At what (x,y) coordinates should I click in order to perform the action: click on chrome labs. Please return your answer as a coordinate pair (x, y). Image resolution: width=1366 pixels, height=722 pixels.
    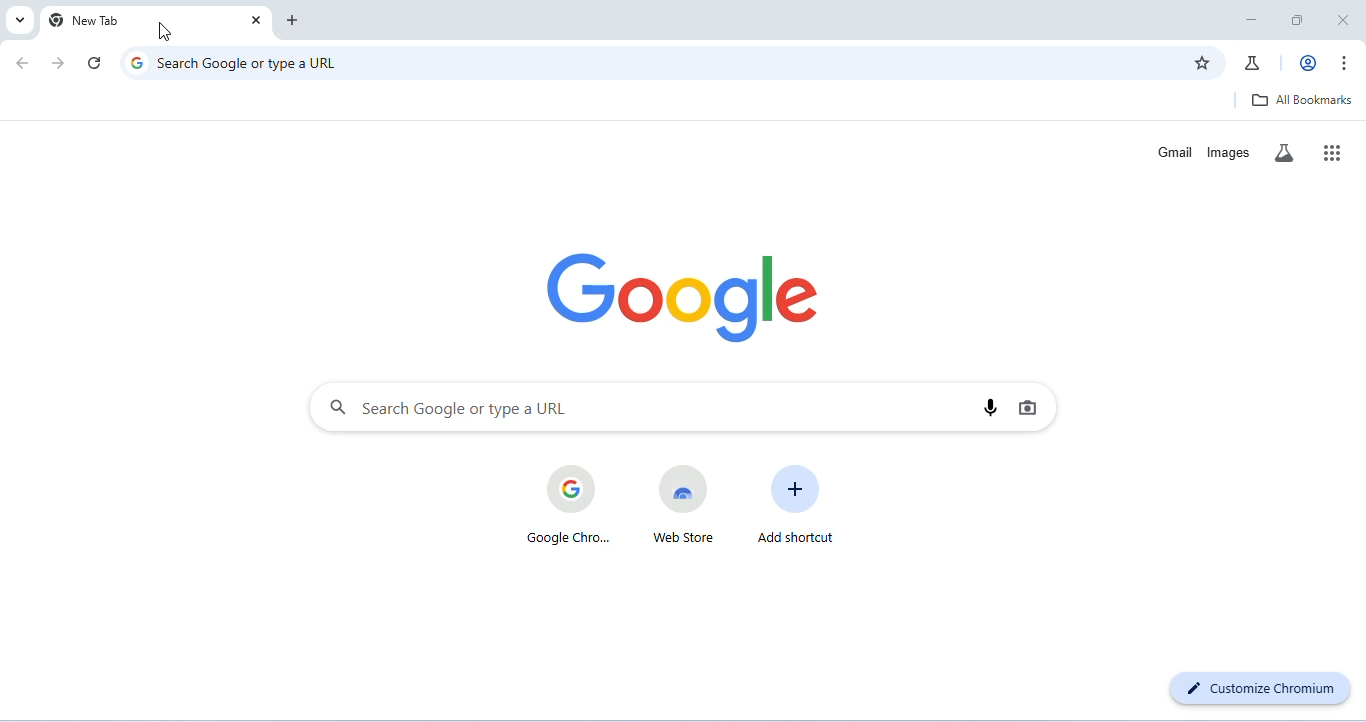
    Looking at the image, I should click on (1257, 61).